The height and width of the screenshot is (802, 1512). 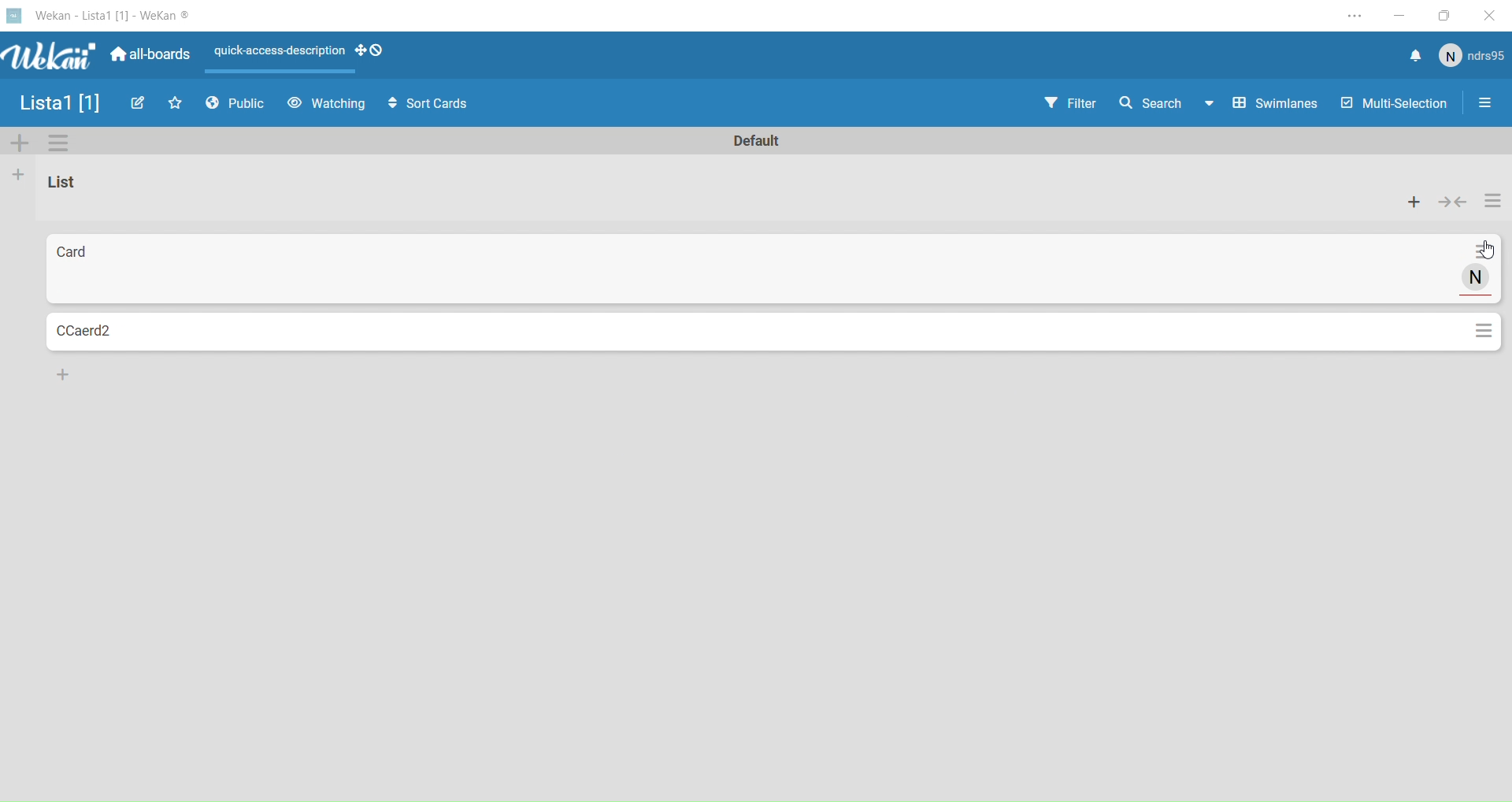 I want to click on Settings, so click(x=1494, y=202).